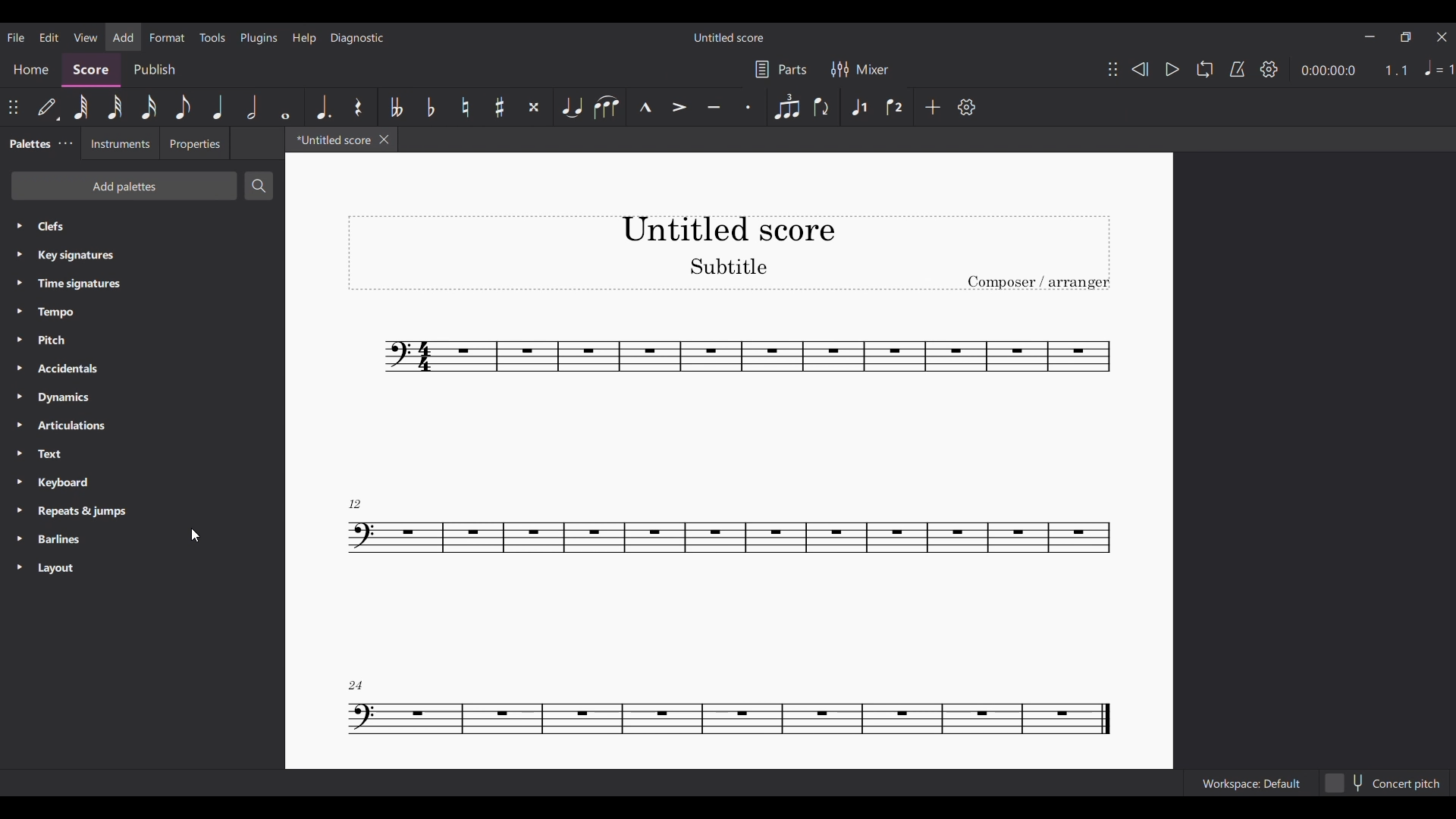 This screenshot has height=819, width=1456. Describe the element at coordinates (212, 37) in the screenshot. I see `Tools` at that location.